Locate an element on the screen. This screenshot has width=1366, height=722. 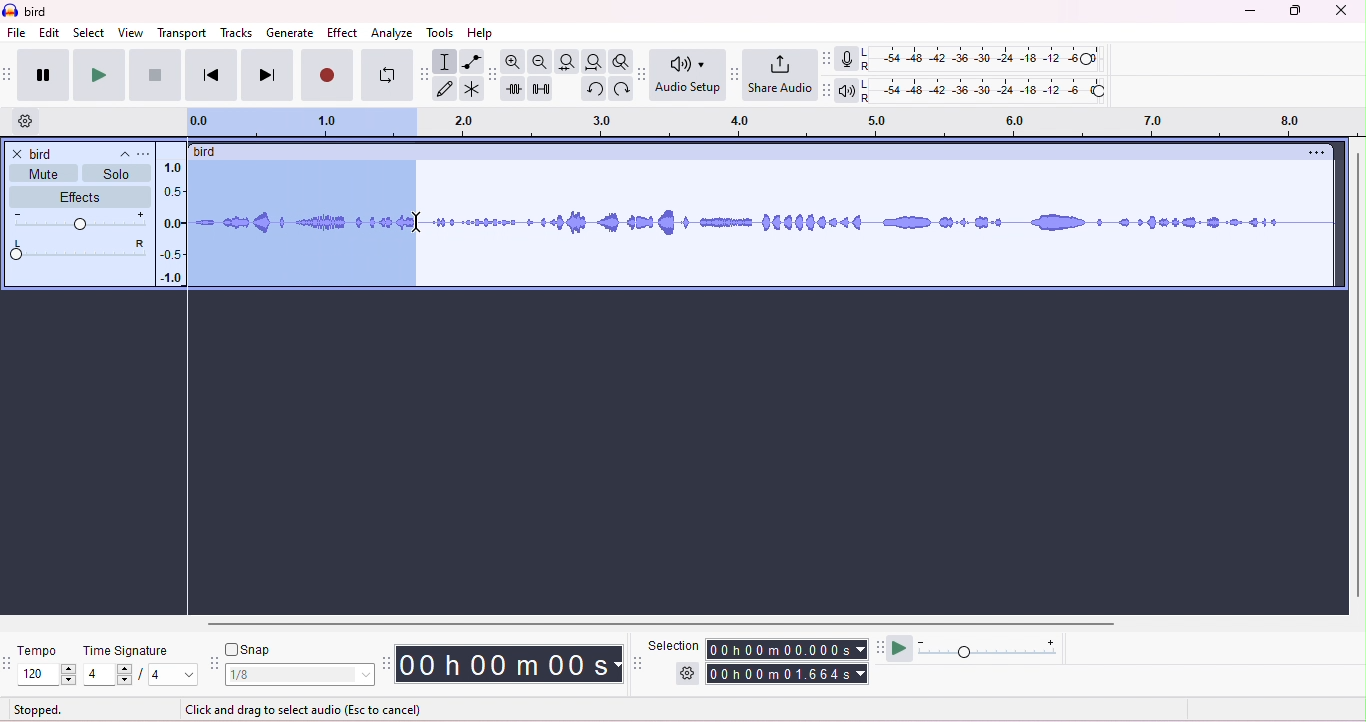
minimize is located at coordinates (1247, 13).